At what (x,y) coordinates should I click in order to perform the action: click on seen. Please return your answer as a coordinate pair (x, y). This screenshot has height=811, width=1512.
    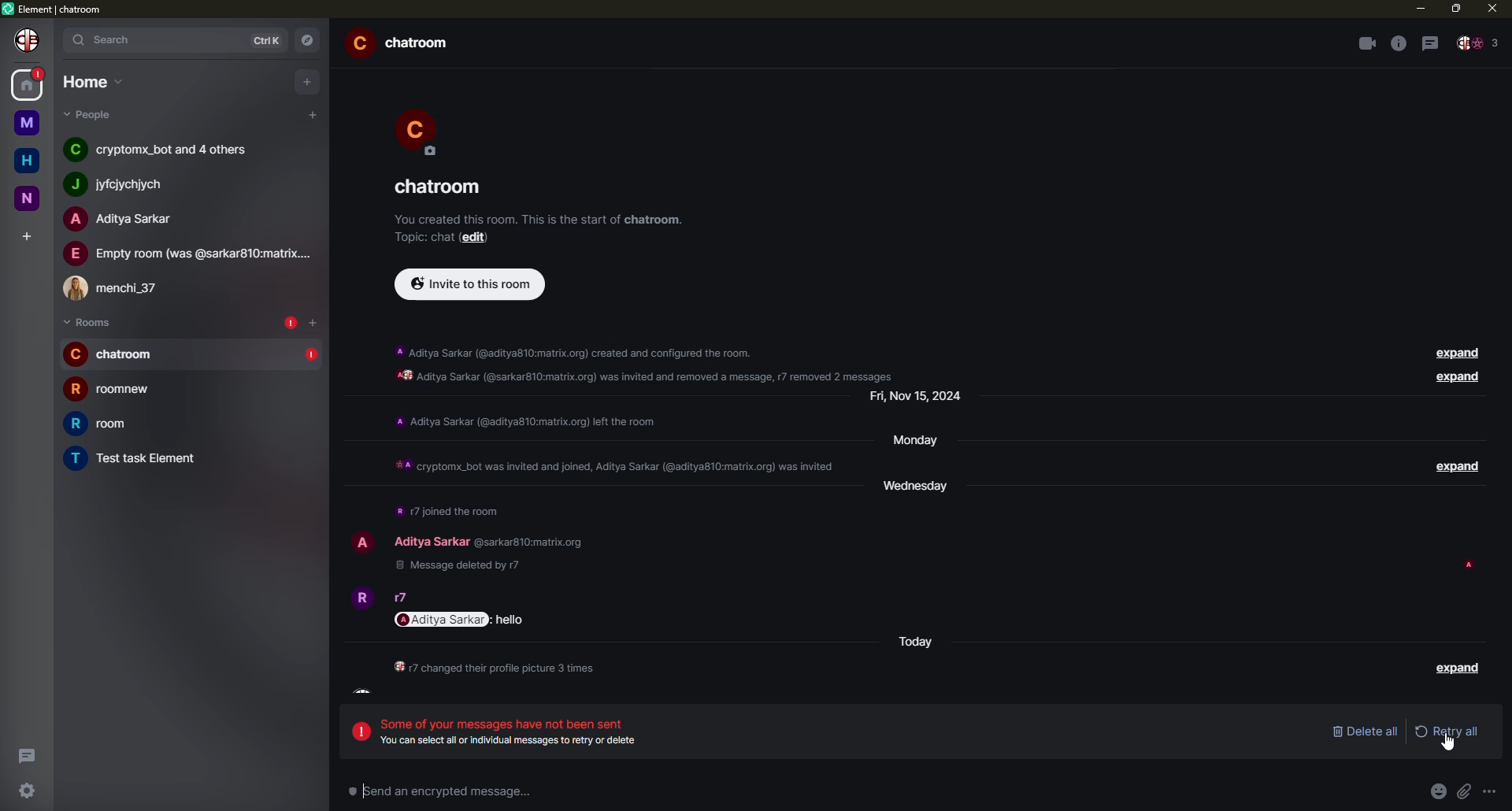
    Looking at the image, I should click on (1468, 567).